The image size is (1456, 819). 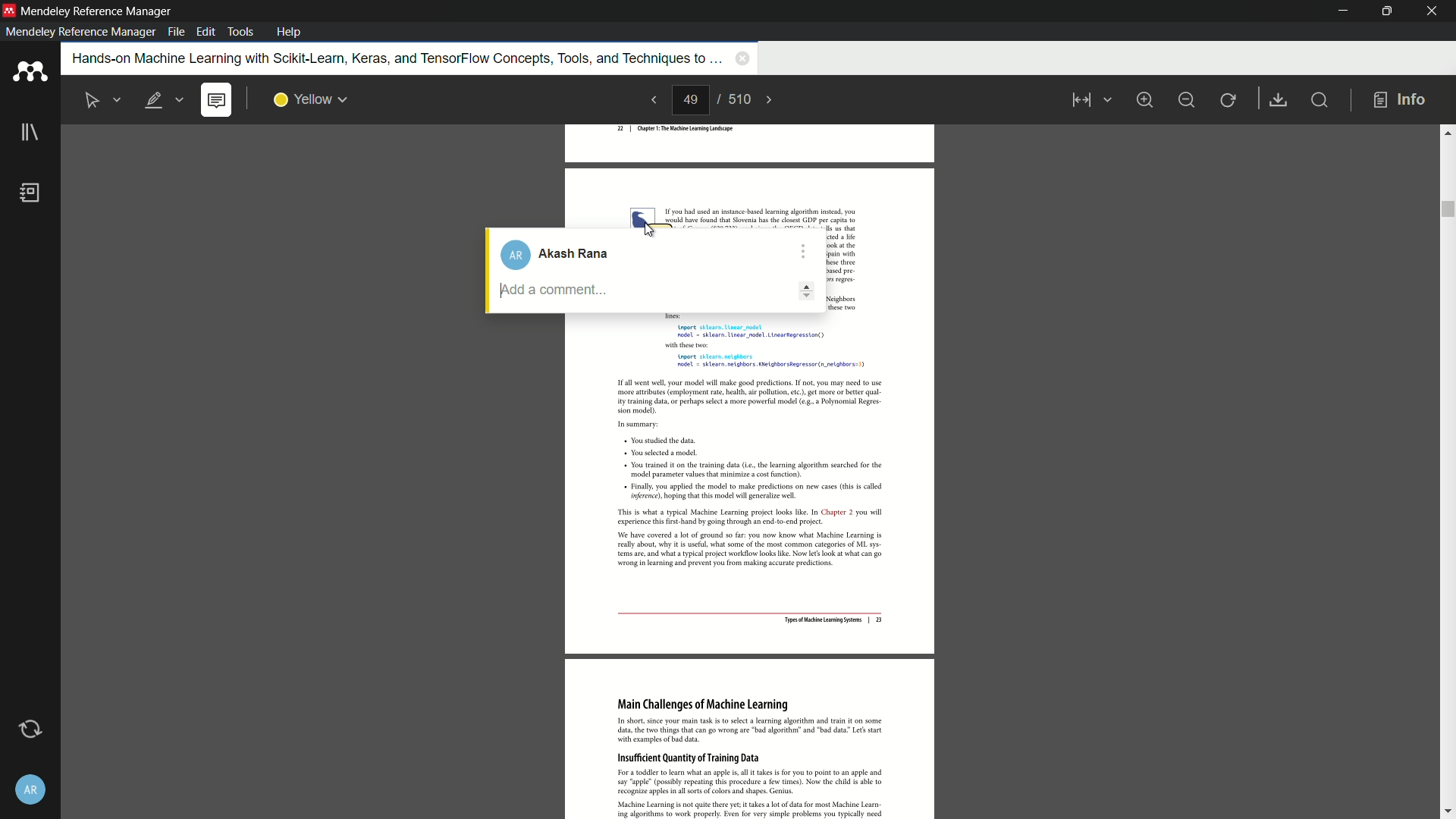 I want to click on current page, so click(x=692, y=101).